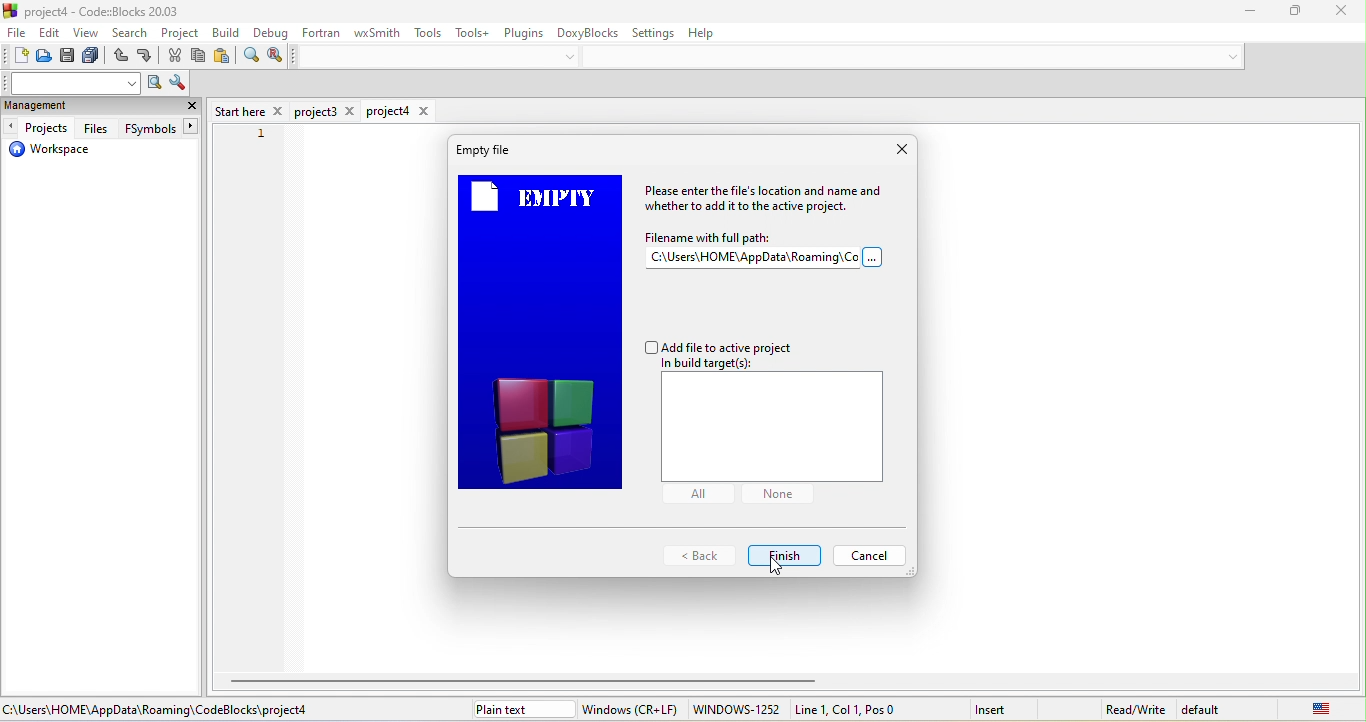 This screenshot has height=722, width=1366. I want to click on wxsmith, so click(374, 34).